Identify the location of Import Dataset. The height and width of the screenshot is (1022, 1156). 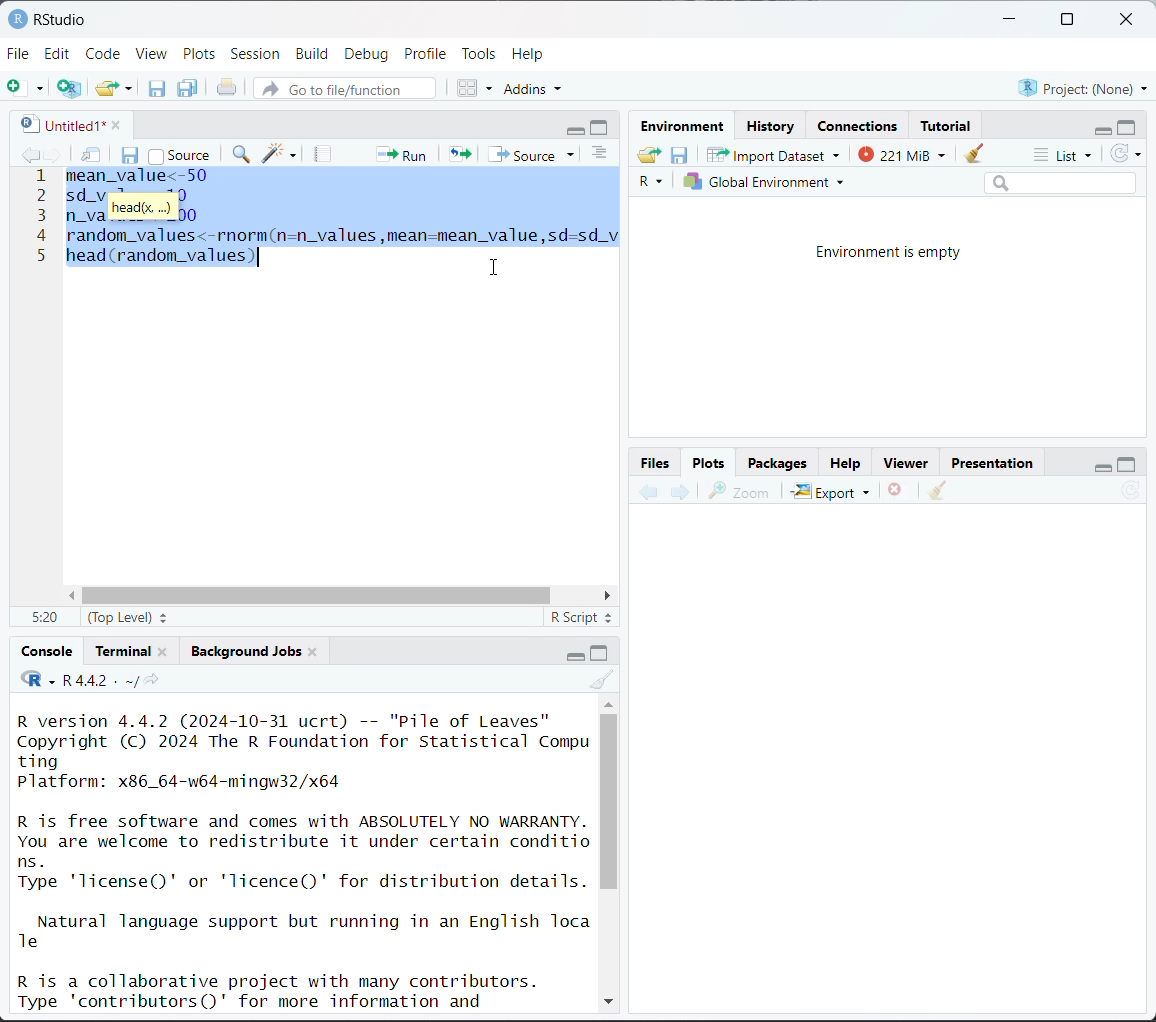
(774, 154).